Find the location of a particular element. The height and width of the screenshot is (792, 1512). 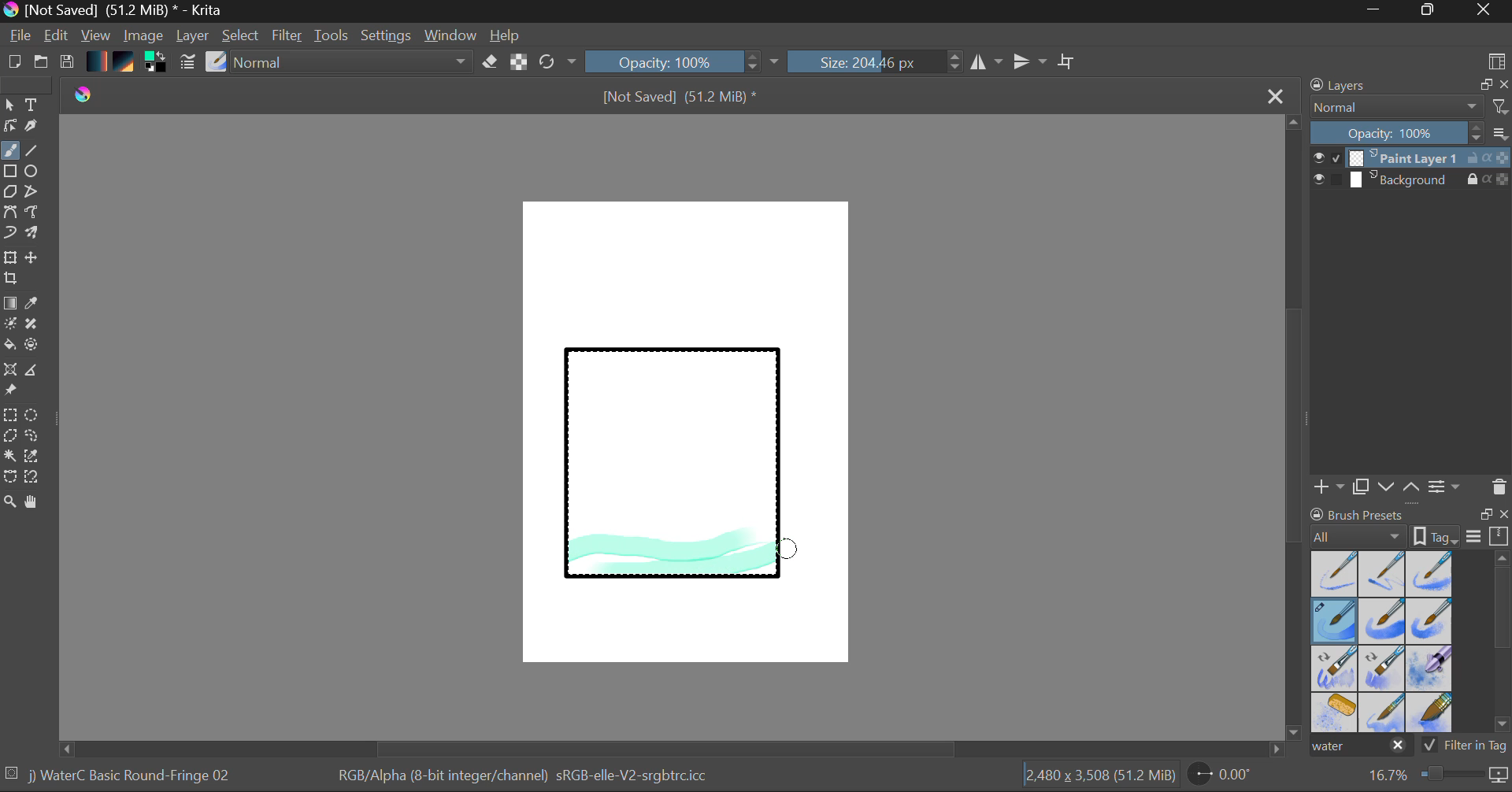

File Name & Size is located at coordinates (680, 98).